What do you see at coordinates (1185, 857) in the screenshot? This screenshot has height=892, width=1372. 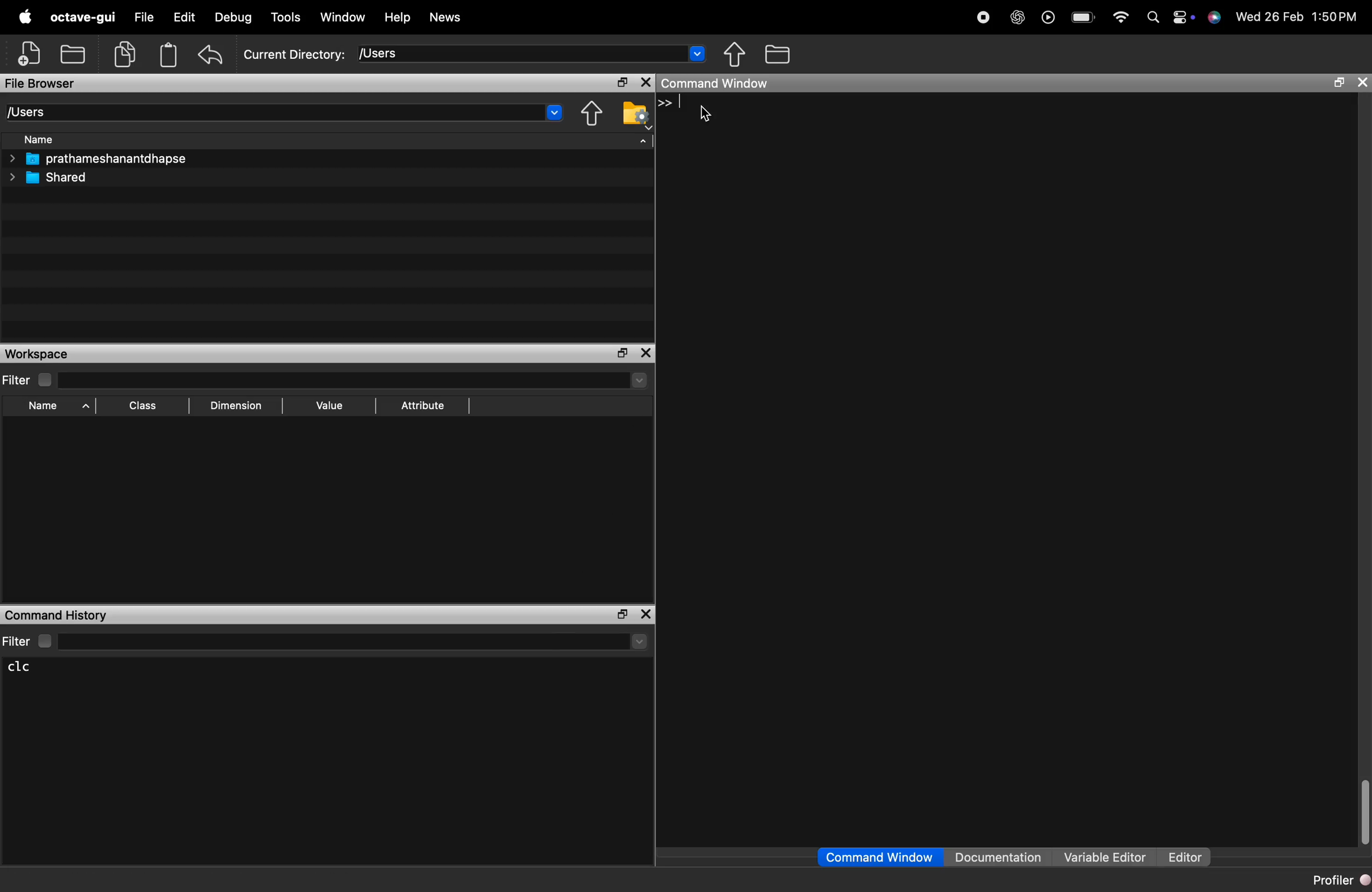 I see `Editor` at bounding box center [1185, 857].